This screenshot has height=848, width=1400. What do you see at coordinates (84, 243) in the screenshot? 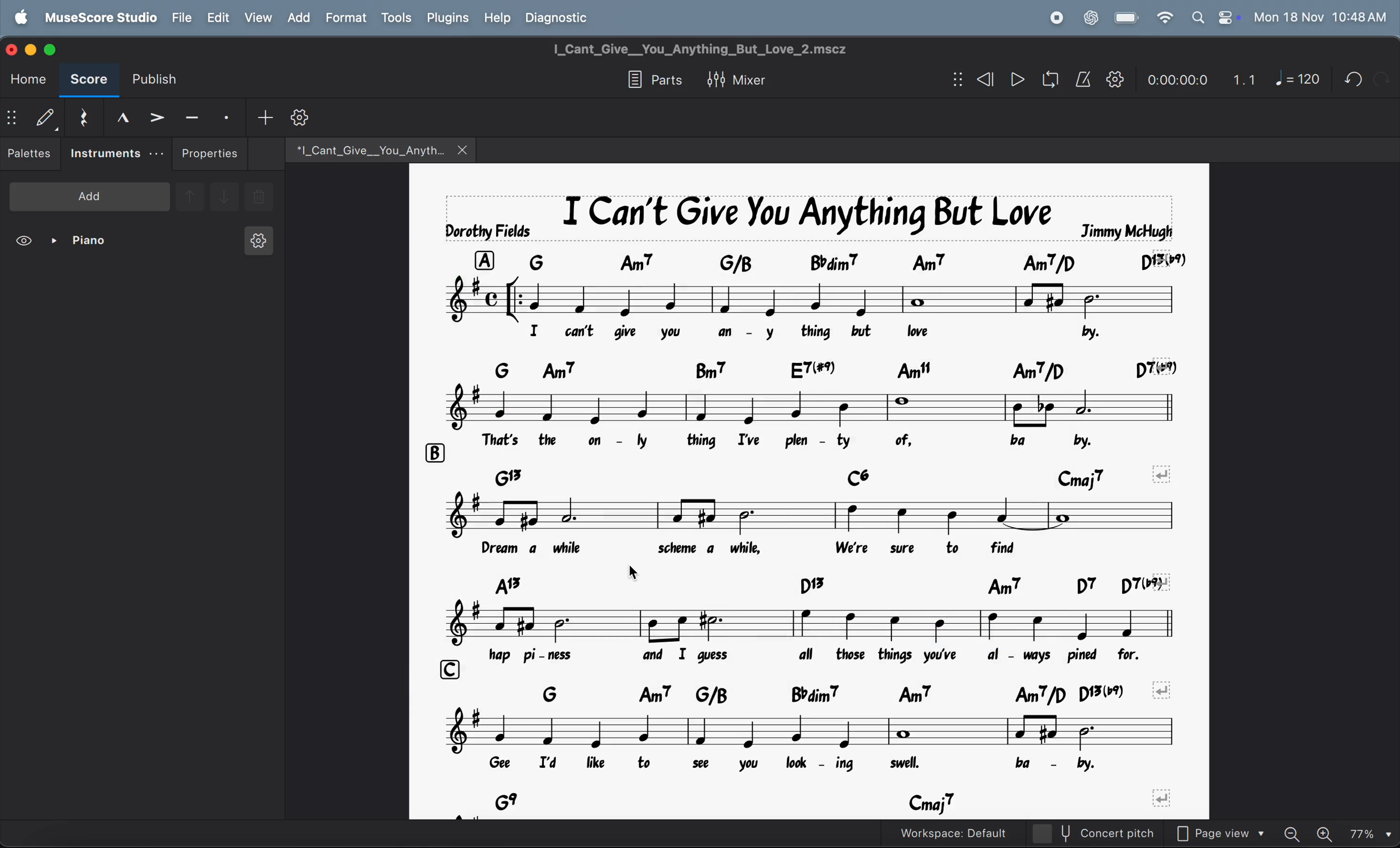
I see `piano` at bounding box center [84, 243].